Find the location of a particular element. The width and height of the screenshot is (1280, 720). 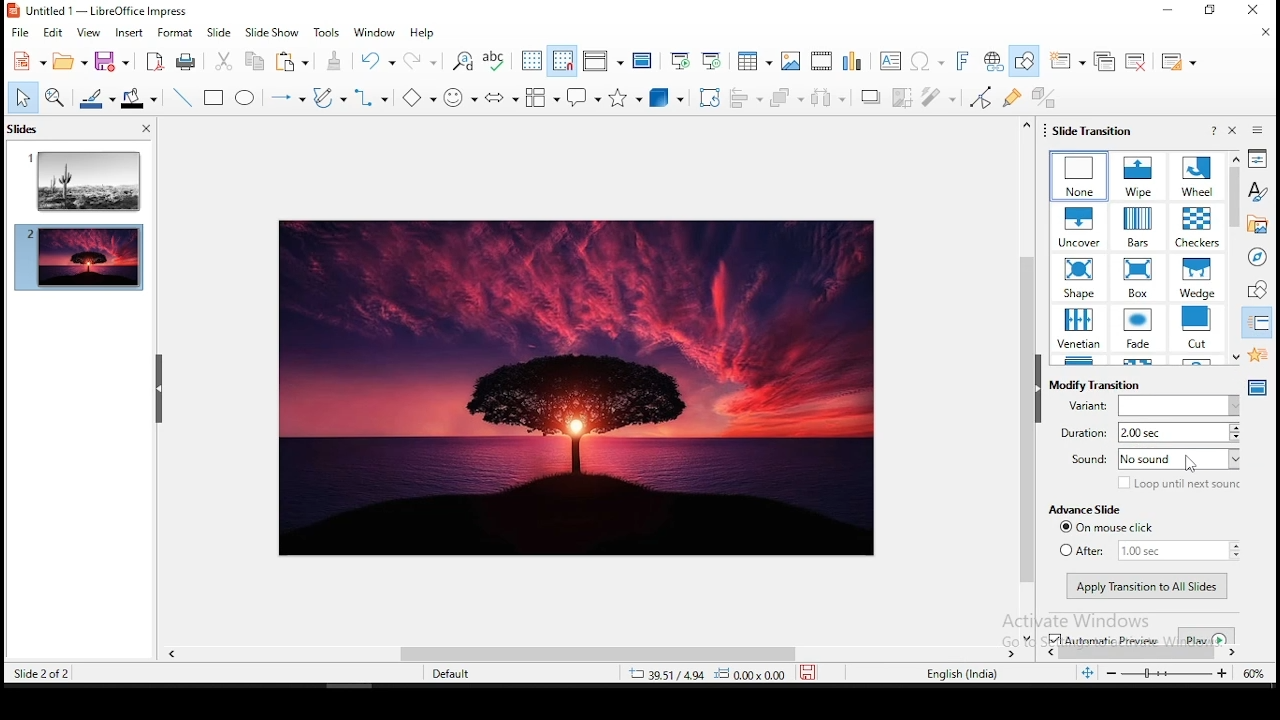

duration is located at coordinates (1149, 432).